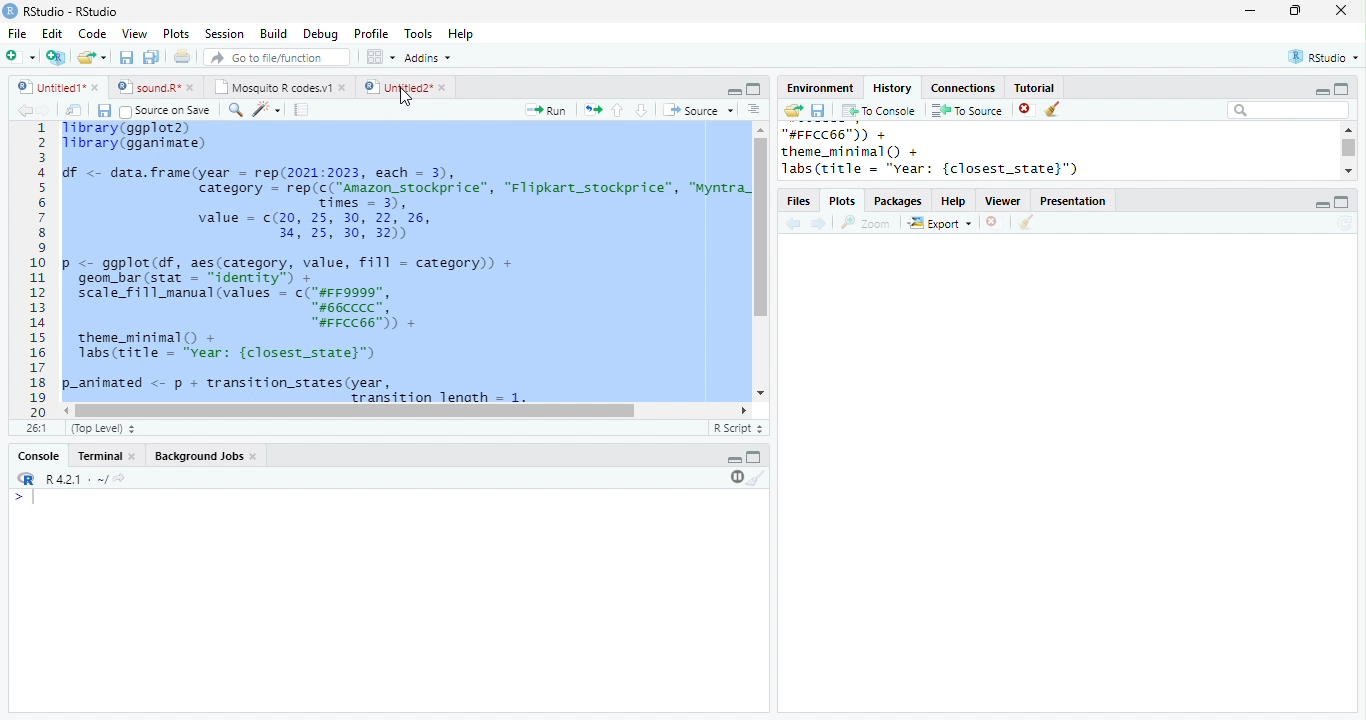 The image size is (1366, 720). Describe the element at coordinates (735, 92) in the screenshot. I see `minimize` at that location.